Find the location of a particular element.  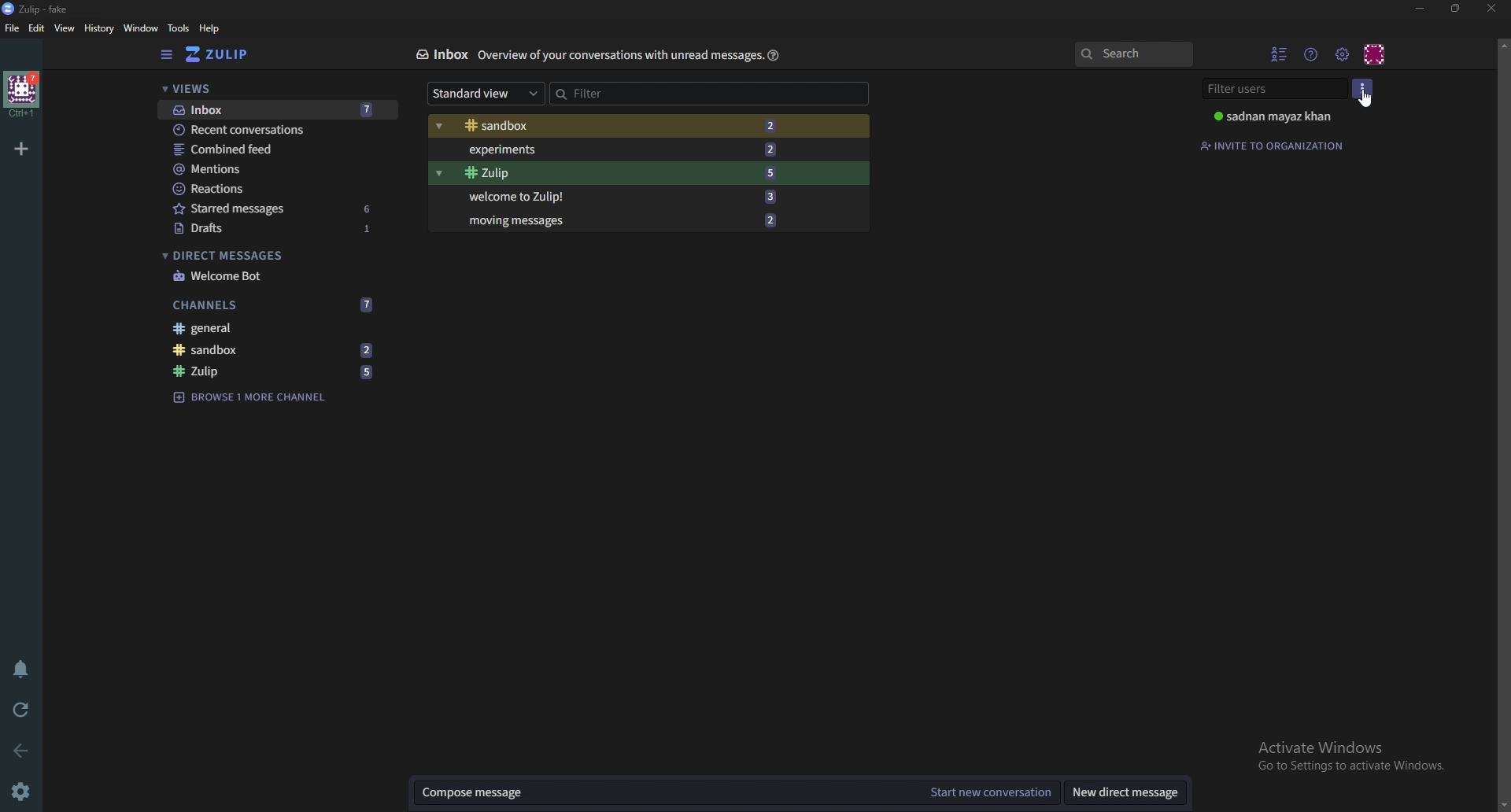

Hide user list is located at coordinates (1279, 54).